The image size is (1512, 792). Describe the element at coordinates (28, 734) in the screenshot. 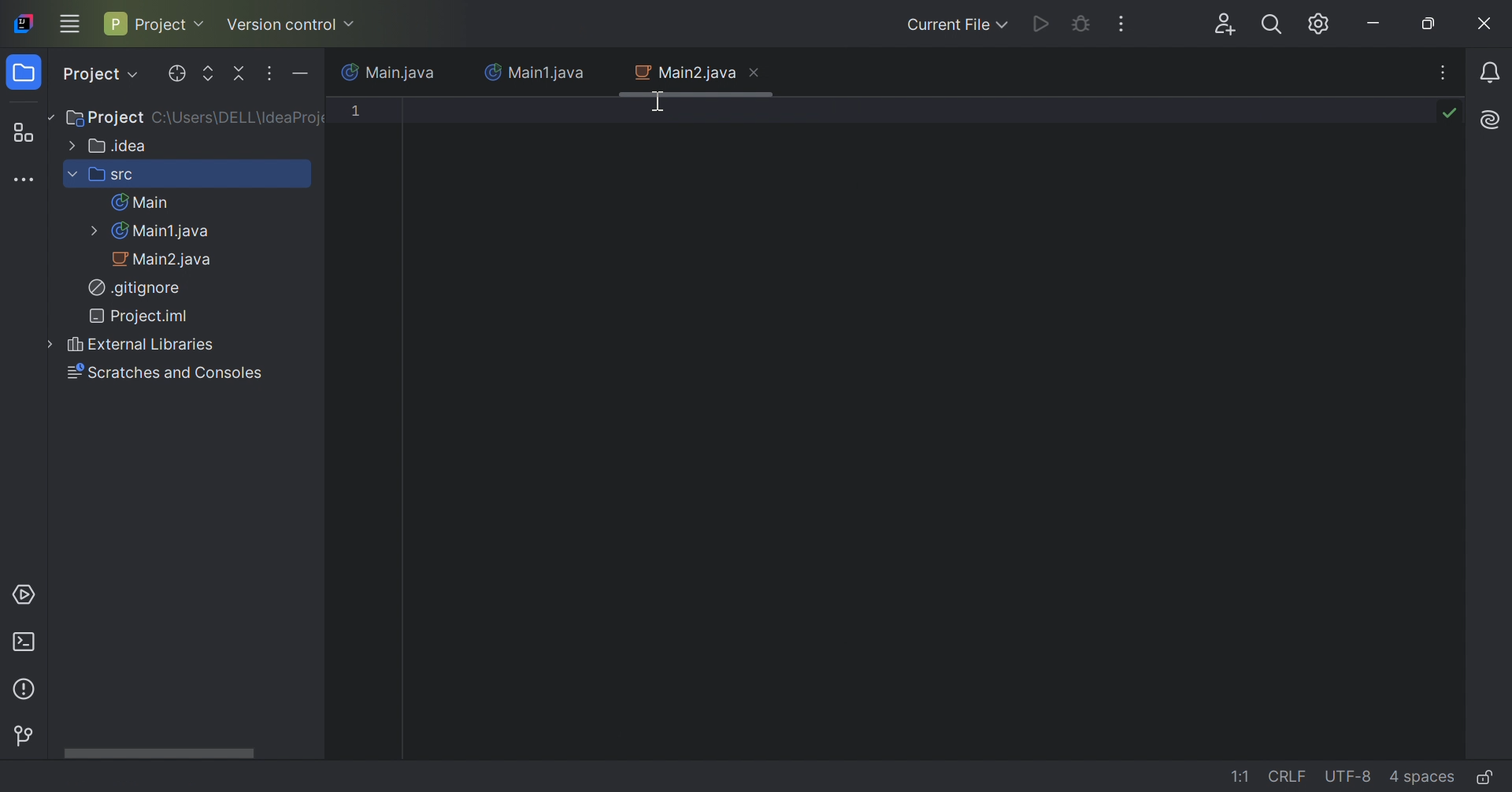

I see `Version control` at that location.